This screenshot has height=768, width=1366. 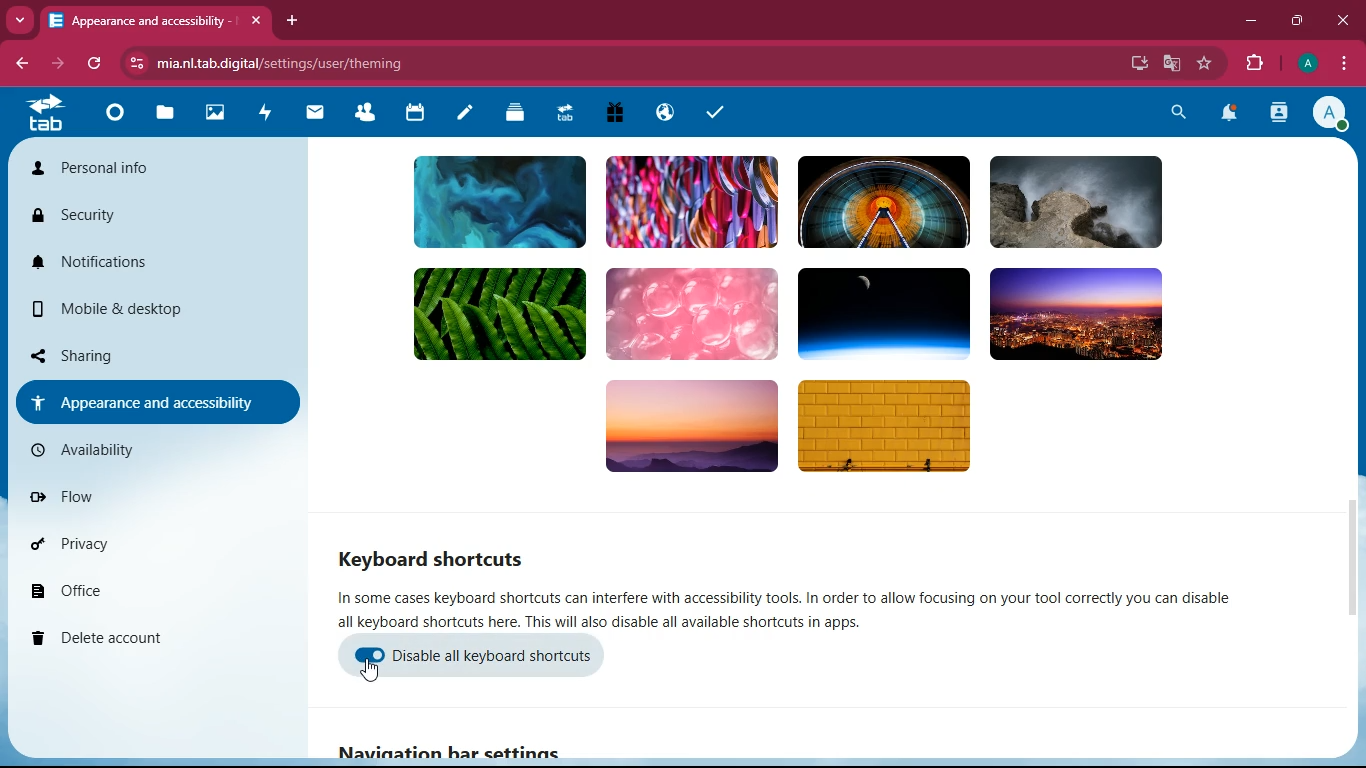 What do you see at coordinates (370, 674) in the screenshot?
I see `cursor` at bounding box center [370, 674].